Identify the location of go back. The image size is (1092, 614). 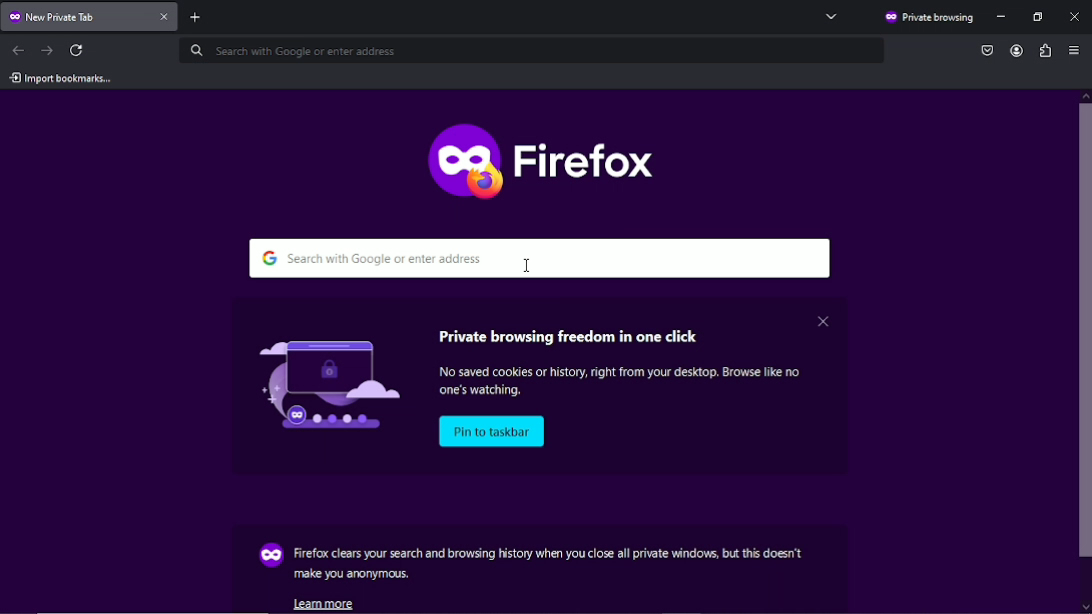
(19, 49).